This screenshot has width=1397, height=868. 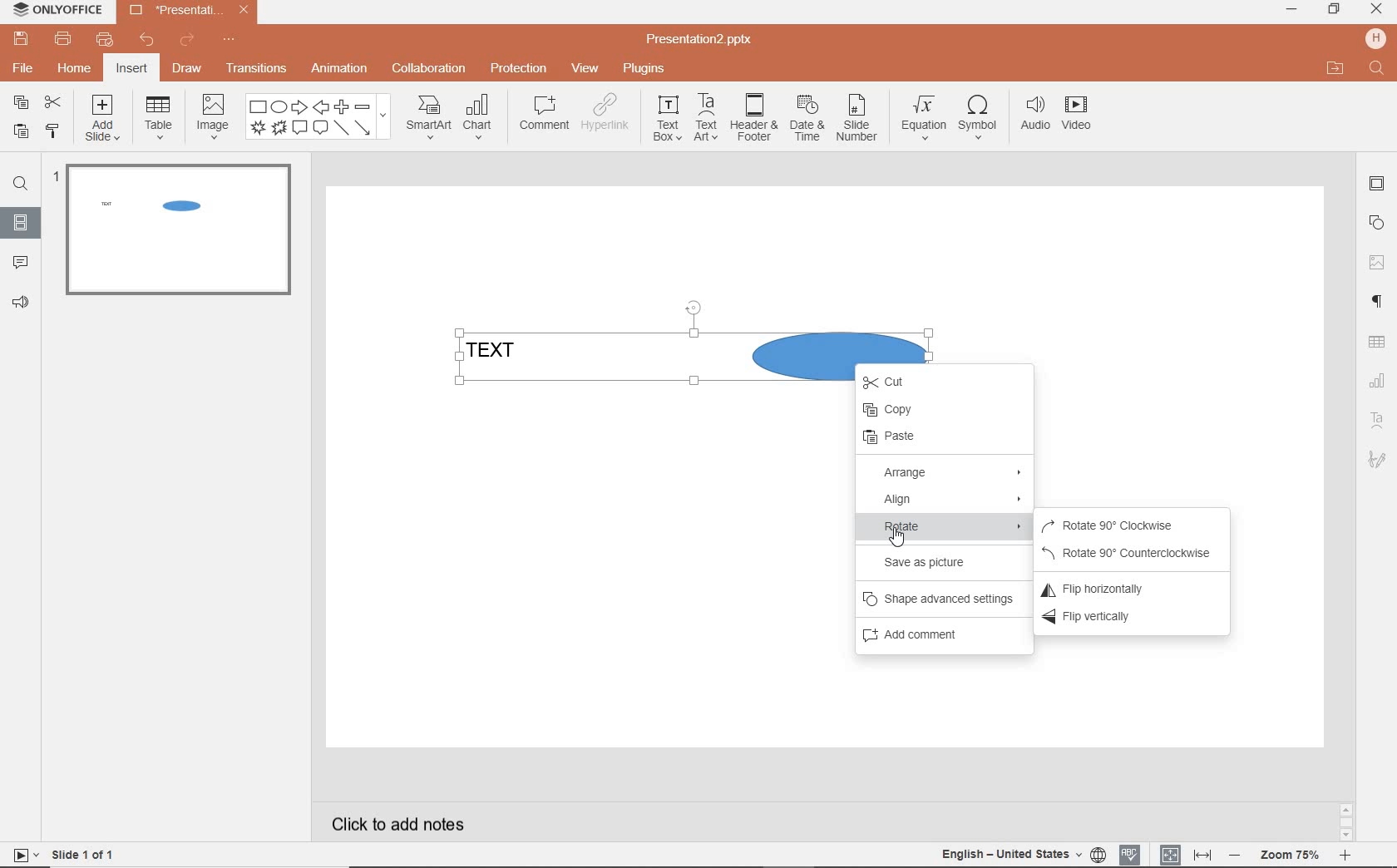 I want to click on header & footer, so click(x=752, y=119).